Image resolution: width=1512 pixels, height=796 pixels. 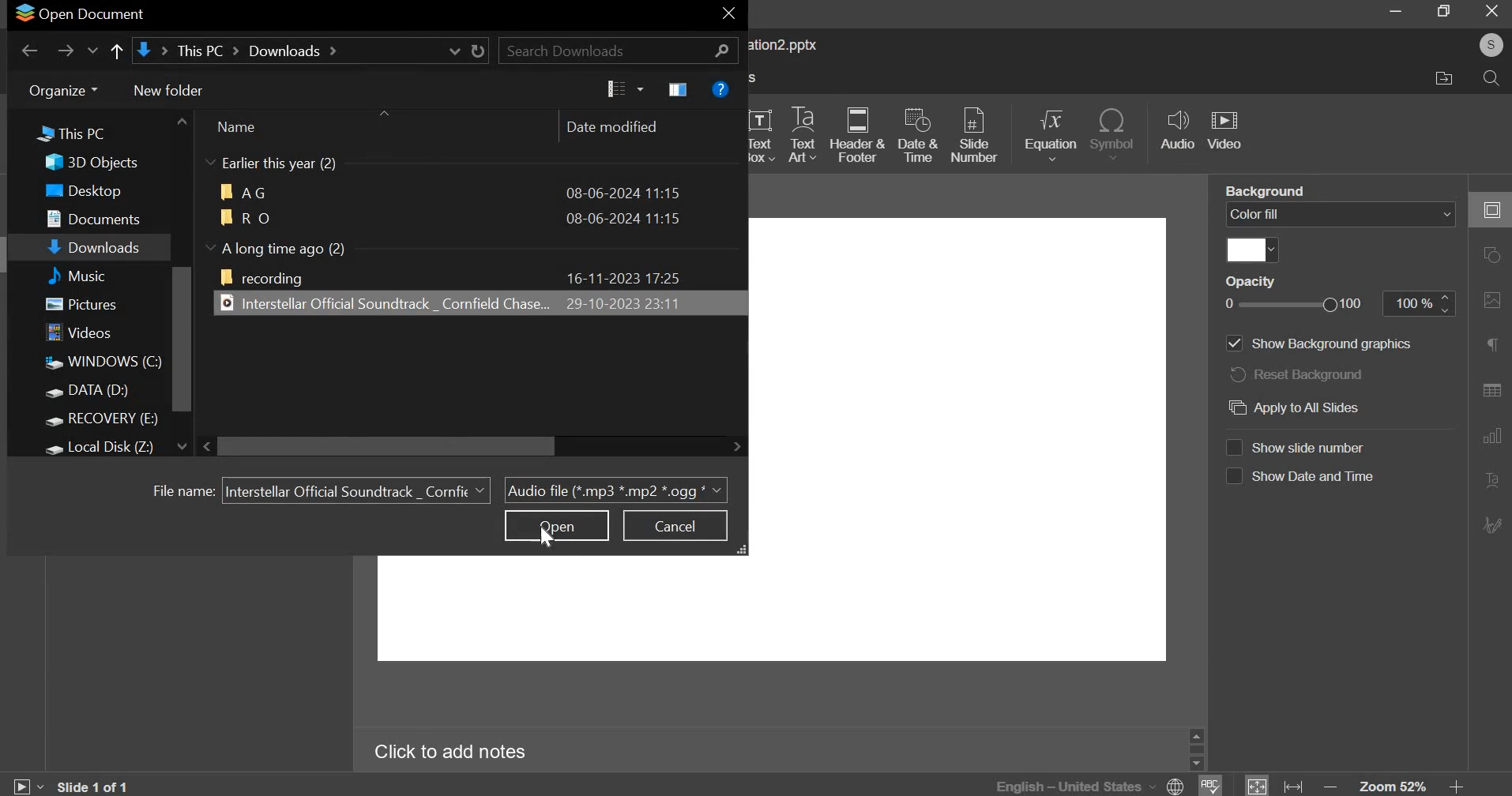 I want to click on language, so click(x=1087, y=785).